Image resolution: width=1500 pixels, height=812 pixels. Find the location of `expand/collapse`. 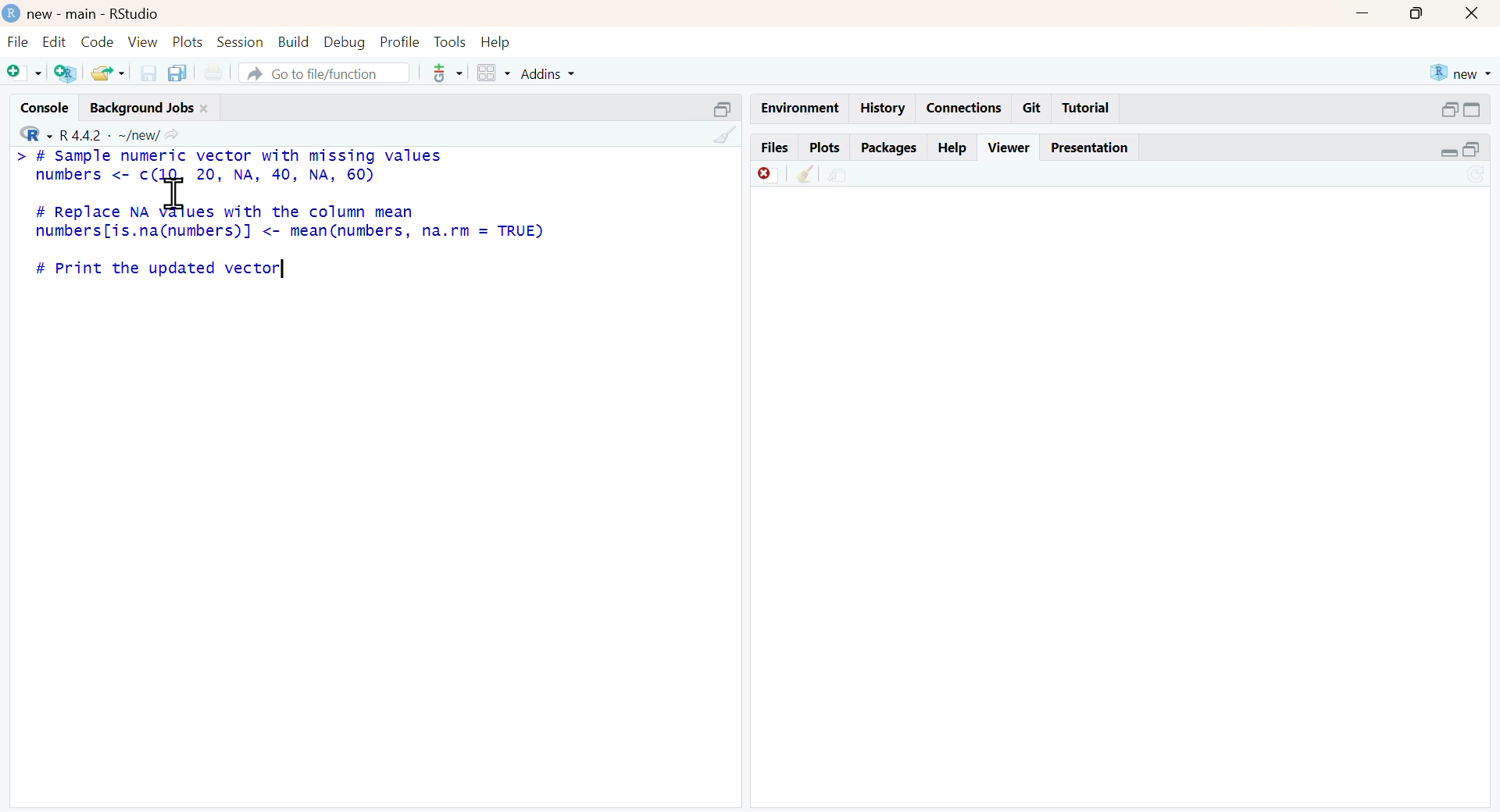

expand/collapse is located at coordinates (1448, 152).